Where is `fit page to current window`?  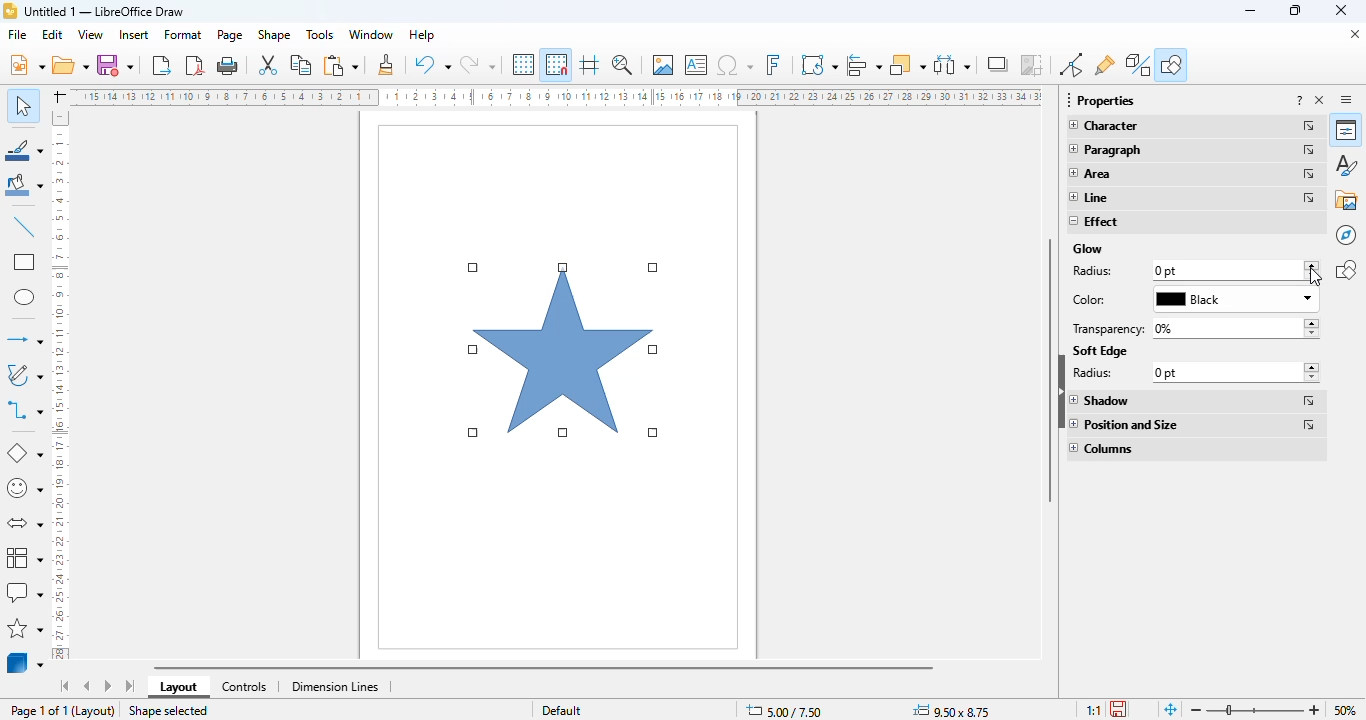
fit page to current window is located at coordinates (1171, 709).